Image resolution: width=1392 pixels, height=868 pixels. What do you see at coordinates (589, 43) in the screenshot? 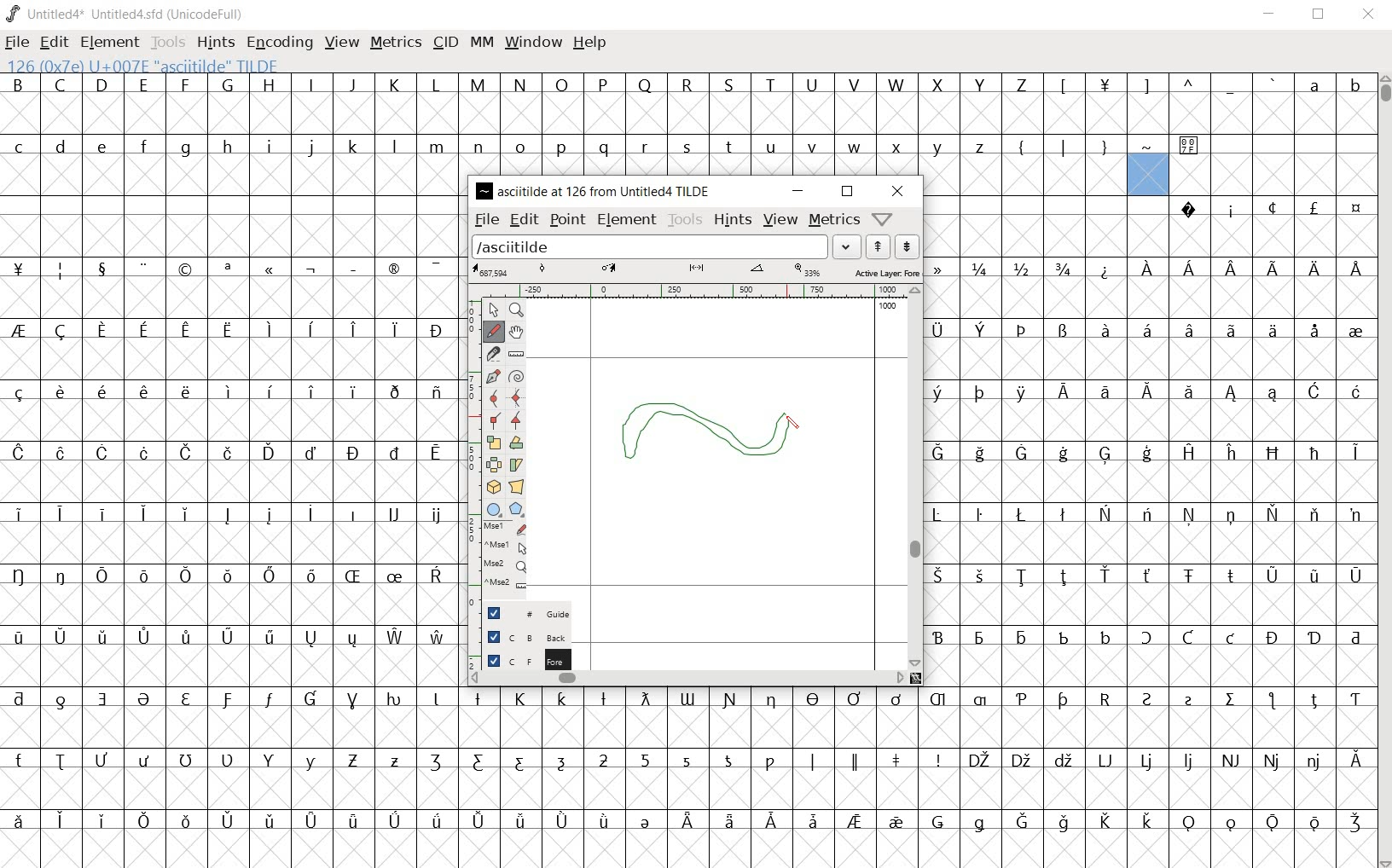
I see `HELP` at bounding box center [589, 43].